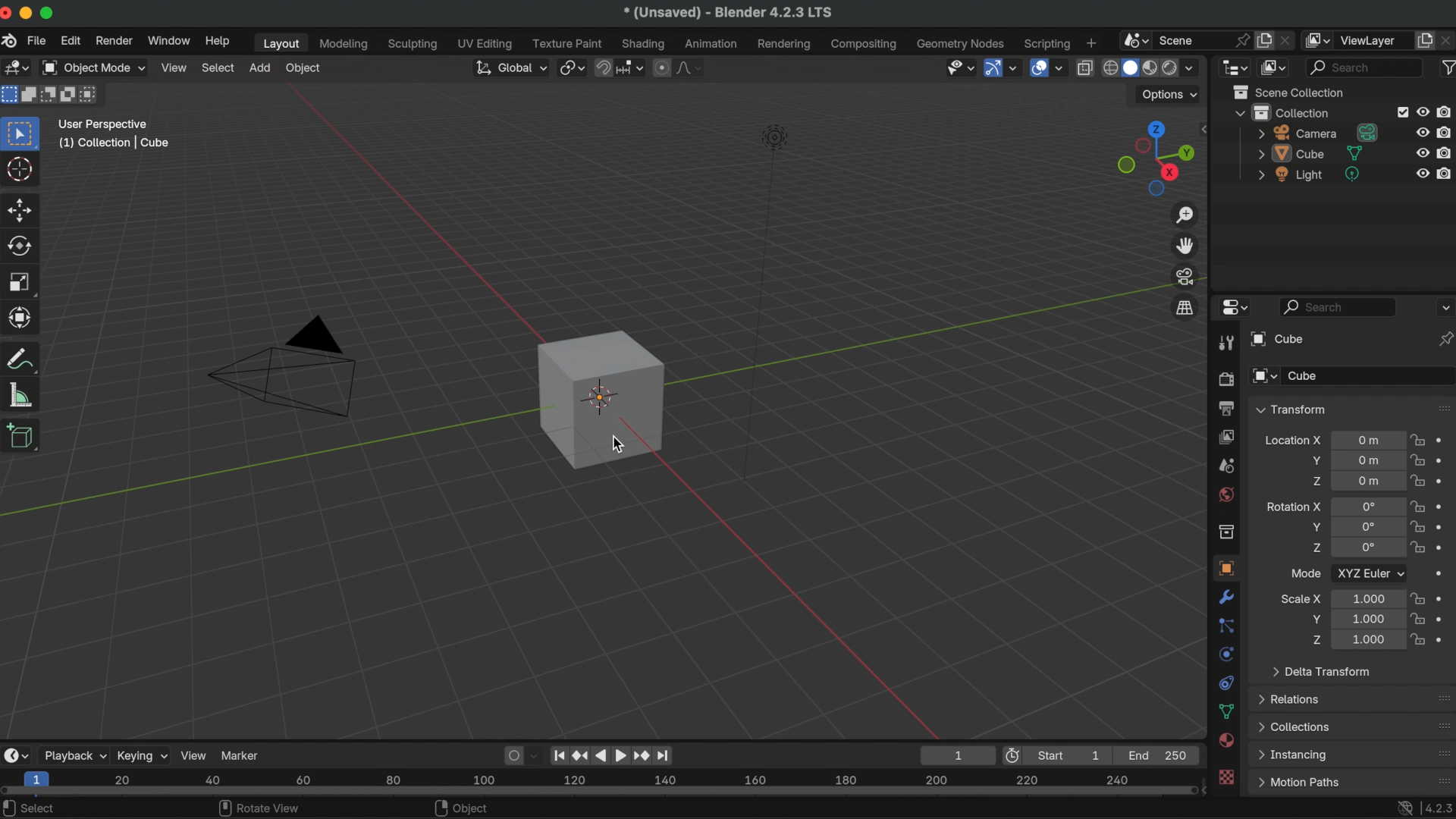 Image resolution: width=1456 pixels, height=819 pixels. Describe the element at coordinates (1232, 308) in the screenshot. I see `editor type` at that location.